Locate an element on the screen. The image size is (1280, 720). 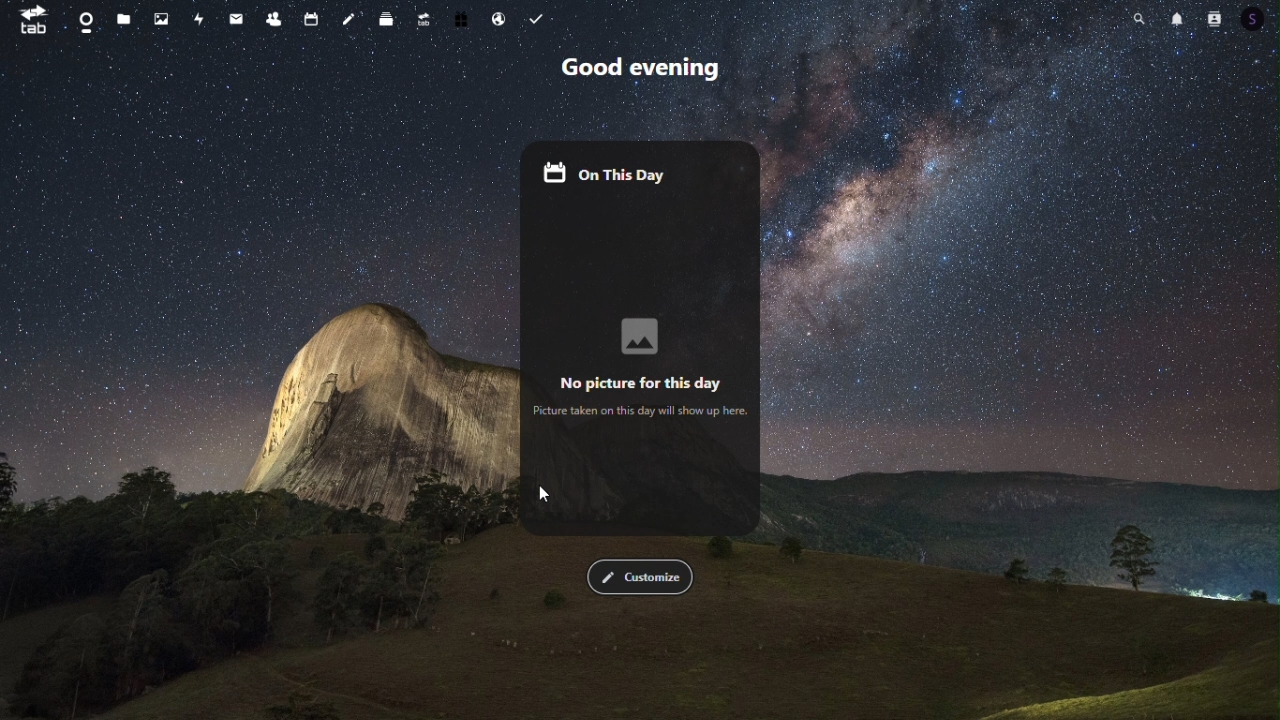
notes is located at coordinates (348, 18).